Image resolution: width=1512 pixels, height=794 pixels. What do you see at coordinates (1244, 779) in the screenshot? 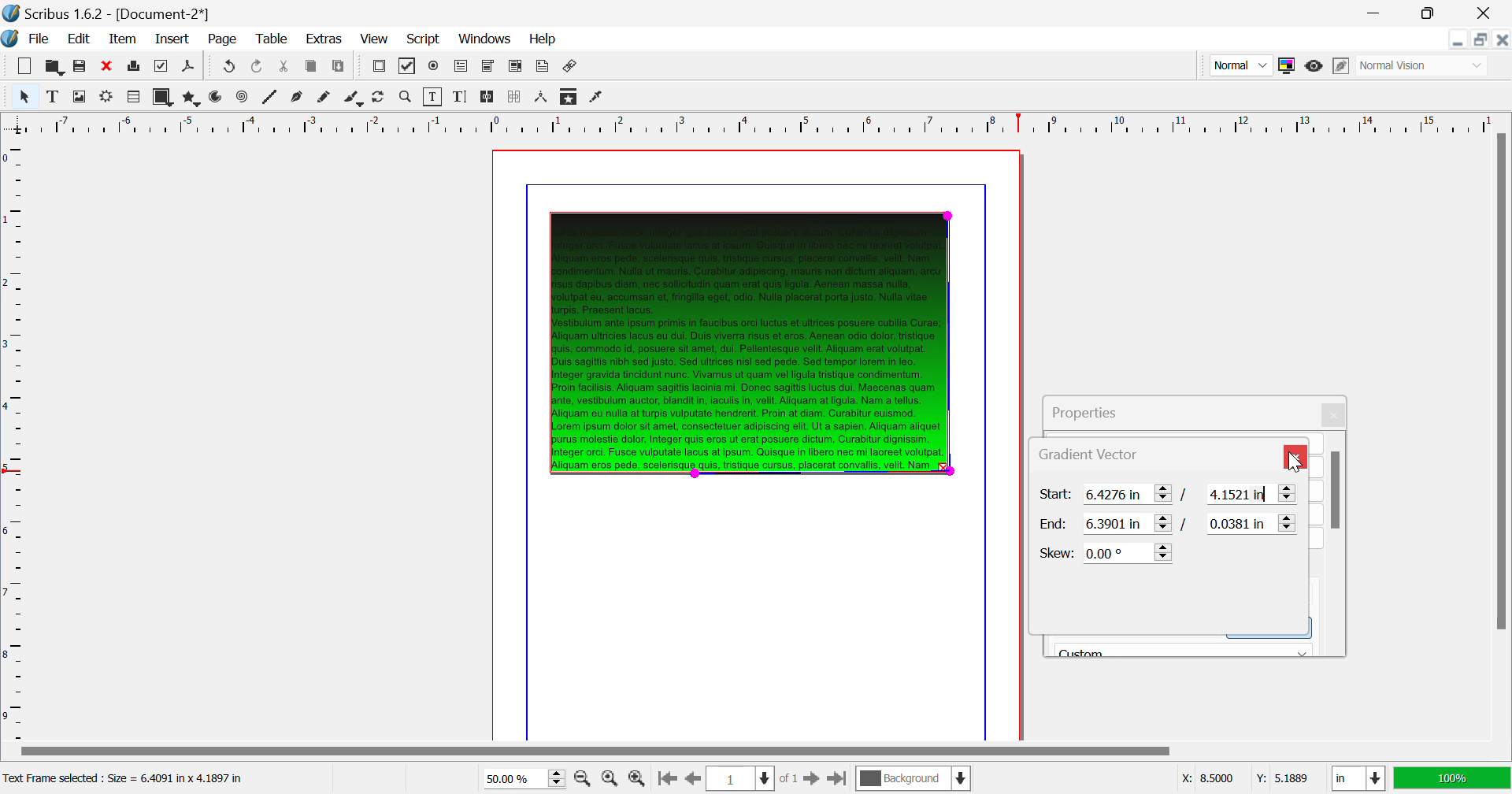
I see `Cursor Coordinates` at bounding box center [1244, 779].